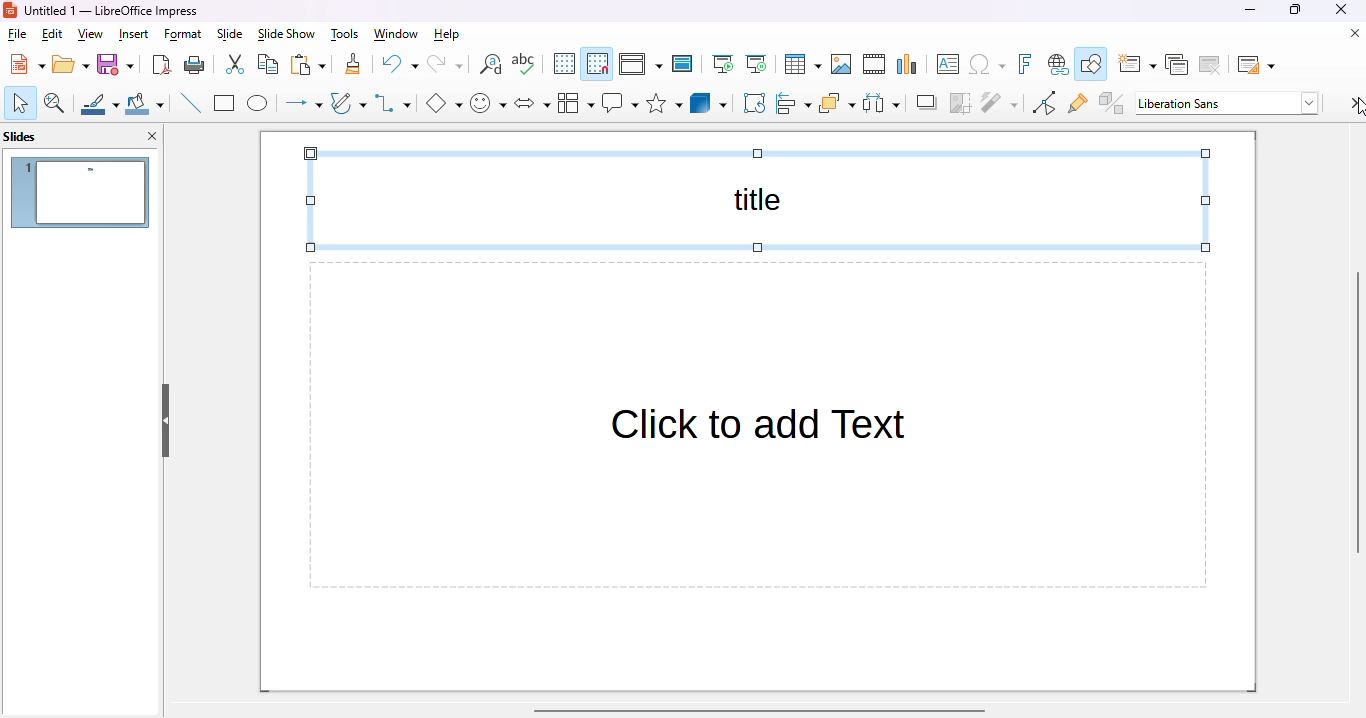  I want to click on minimize, so click(1252, 10).